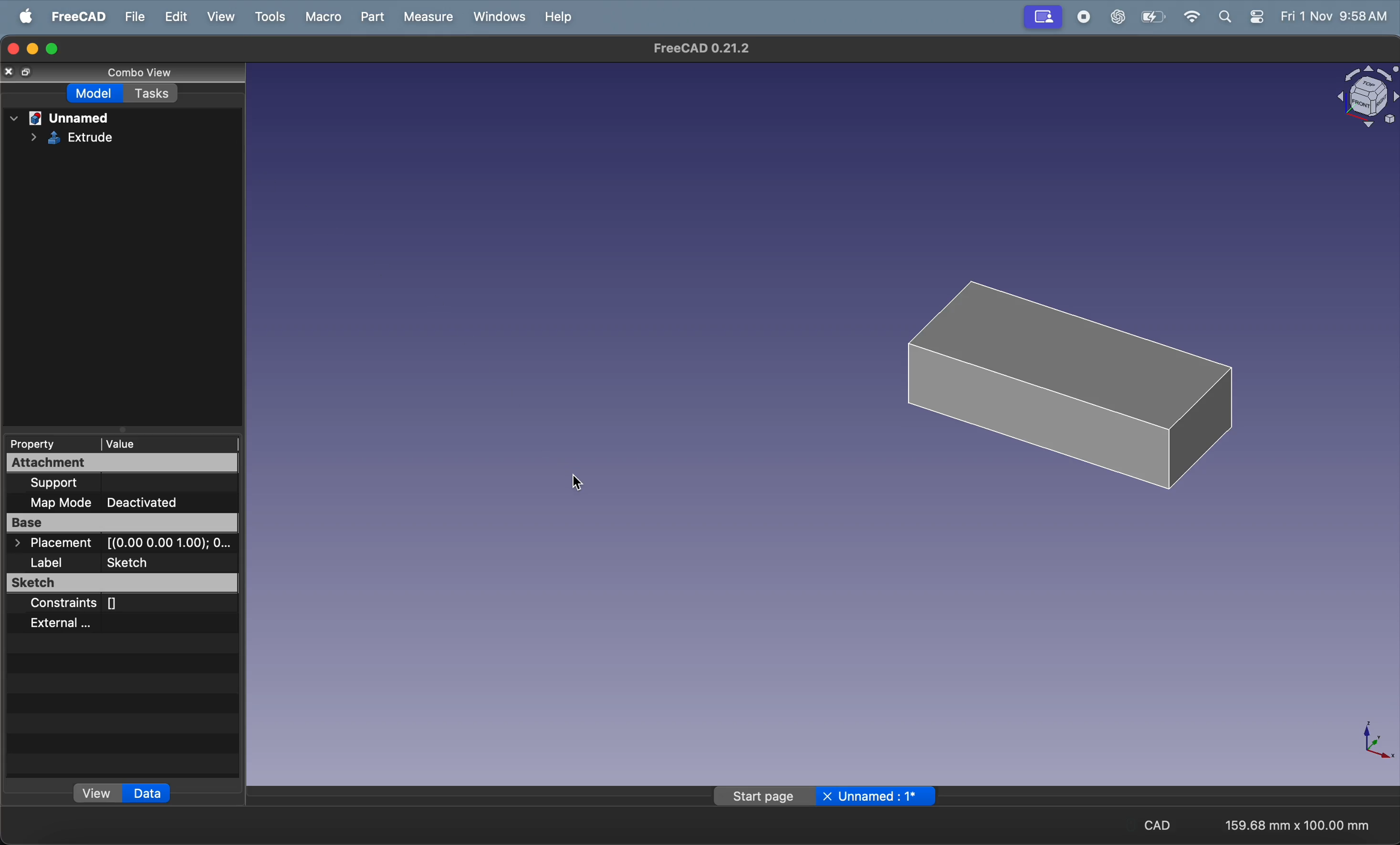  I want to click on base, so click(120, 524).